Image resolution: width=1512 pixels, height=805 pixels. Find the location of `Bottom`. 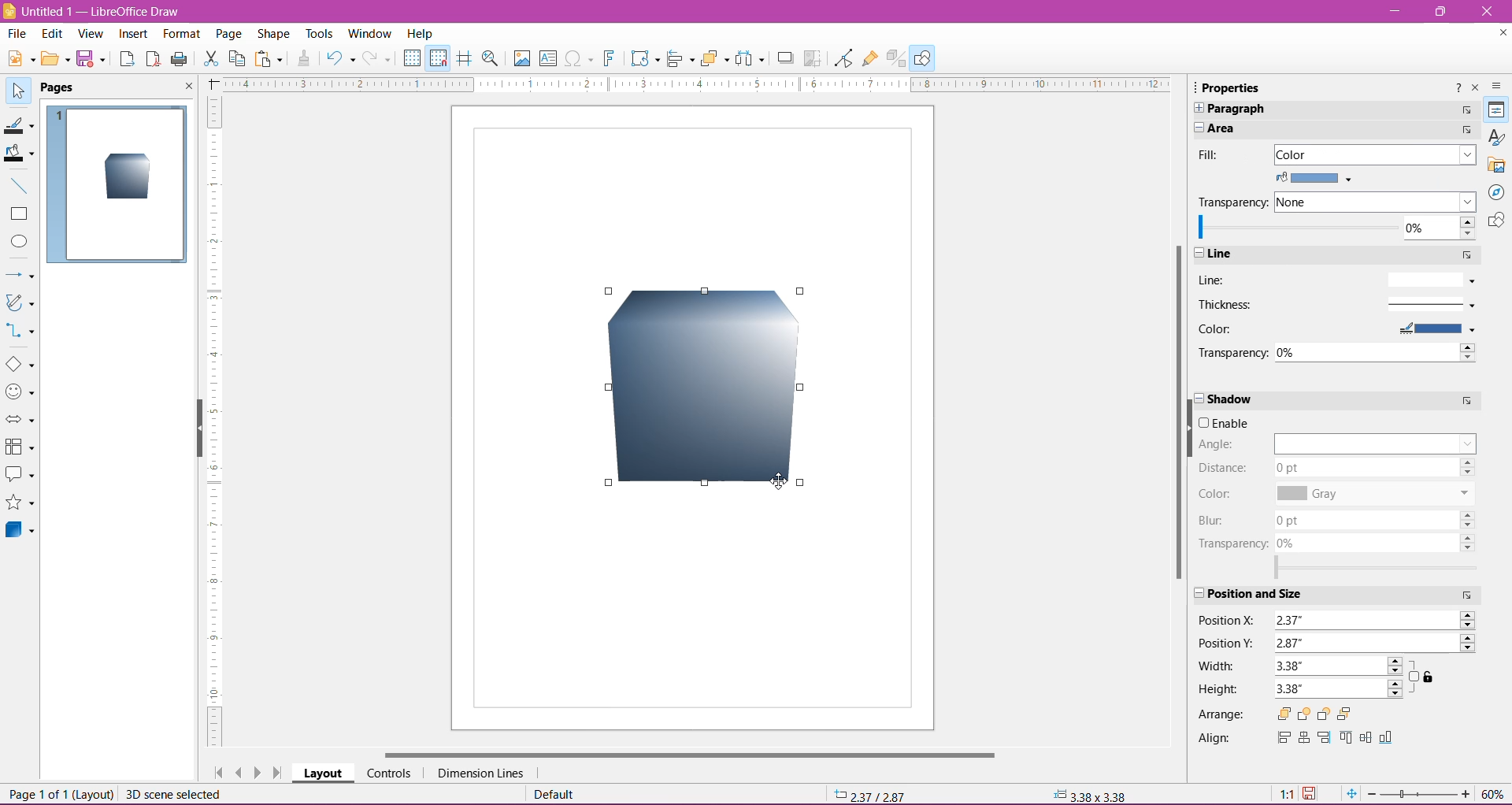

Bottom is located at coordinates (1390, 738).